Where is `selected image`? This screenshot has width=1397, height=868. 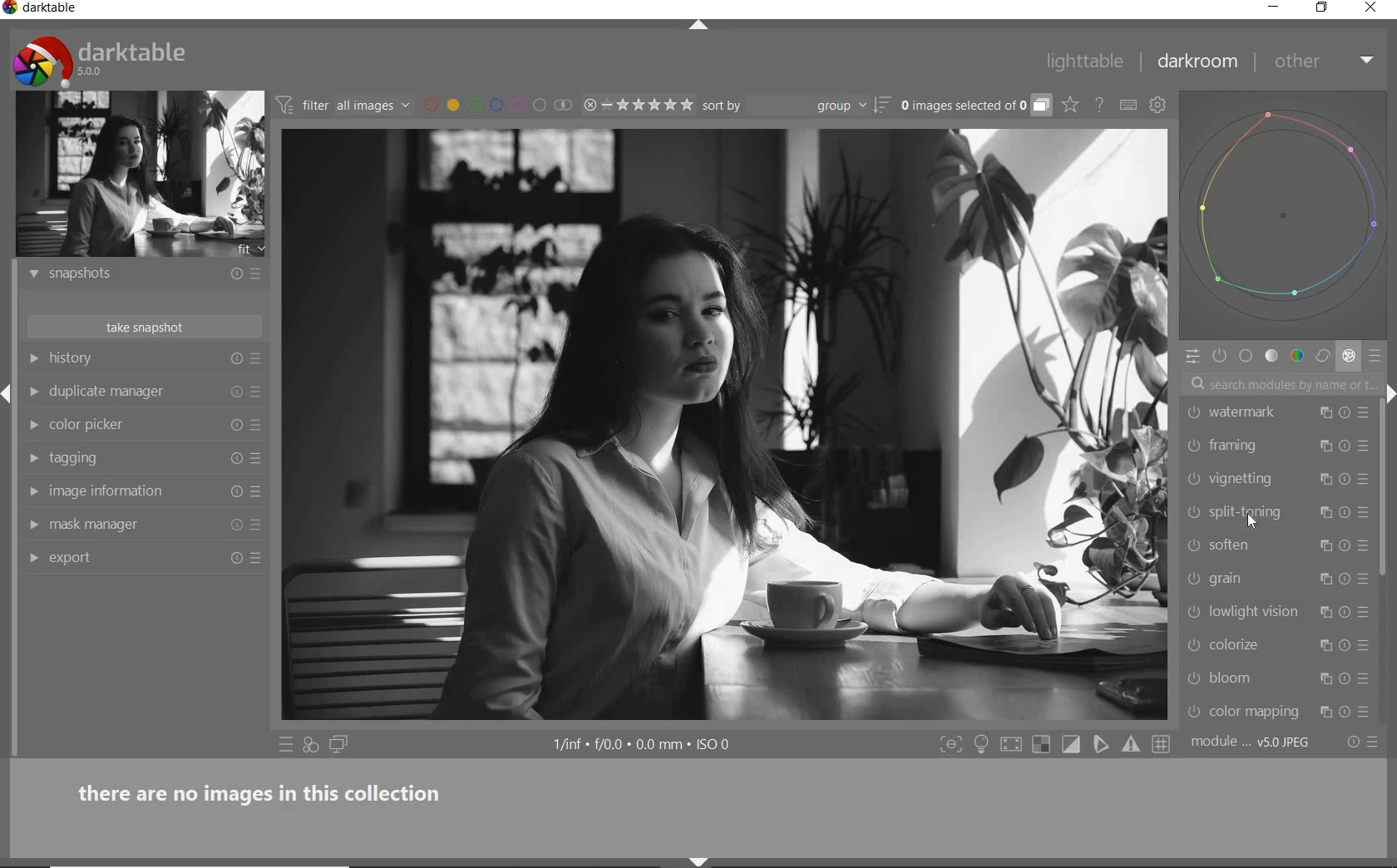
selected image is located at coordinates (722, 428).